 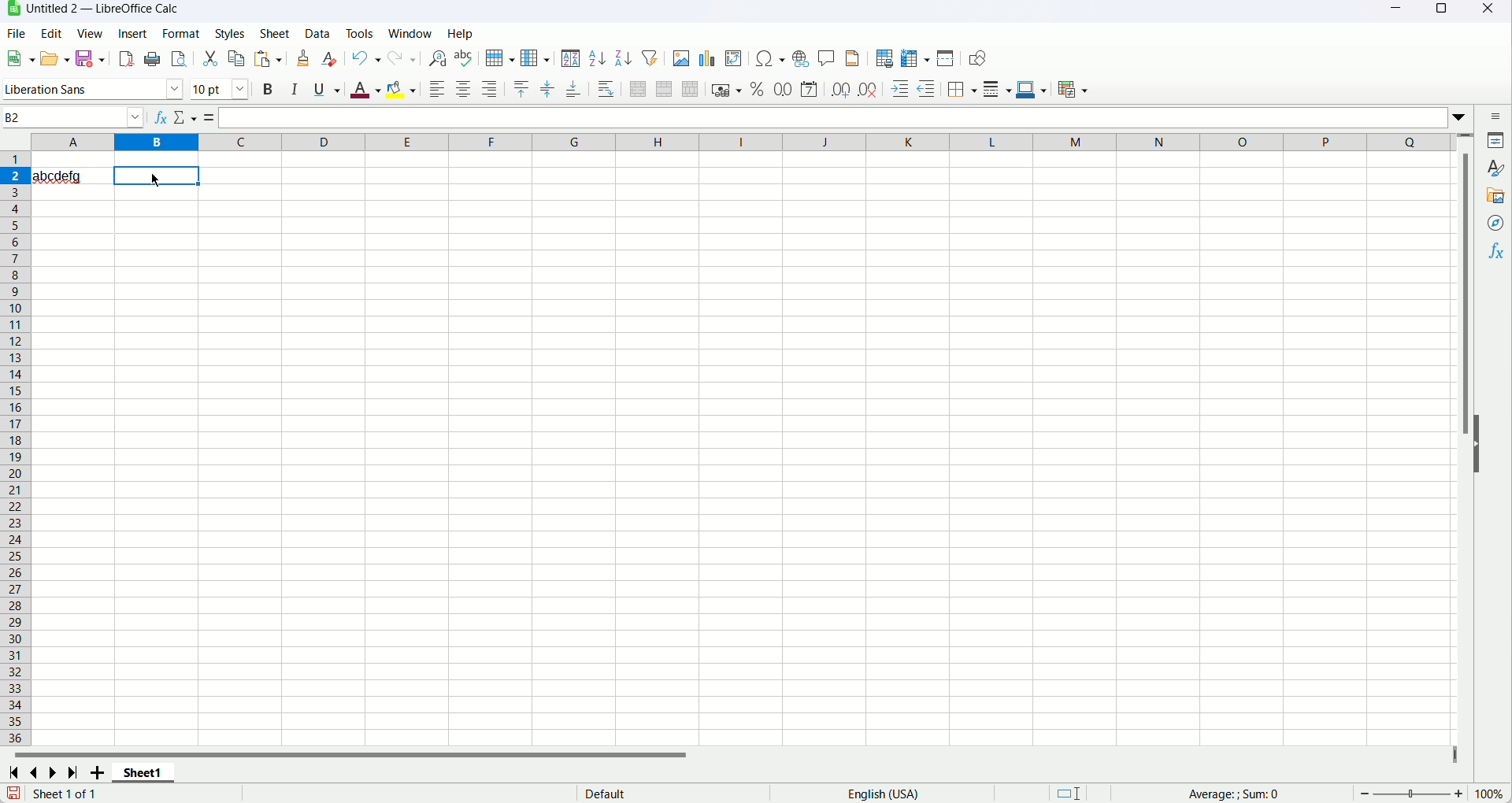 I want to click on scroll to last page, so click(x=72, y=771).